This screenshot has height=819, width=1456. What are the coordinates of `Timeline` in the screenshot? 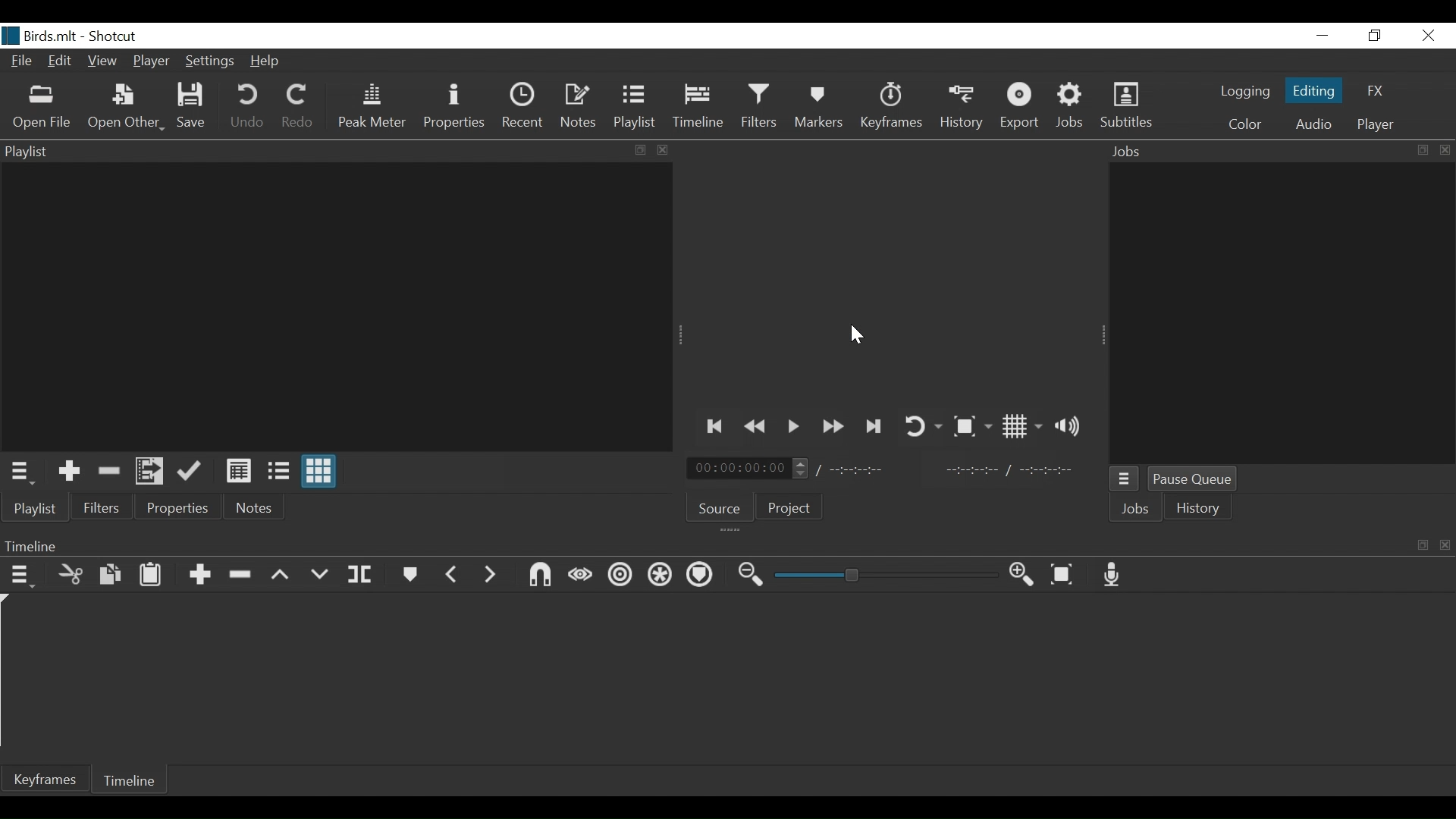 It's located at (700, 106).